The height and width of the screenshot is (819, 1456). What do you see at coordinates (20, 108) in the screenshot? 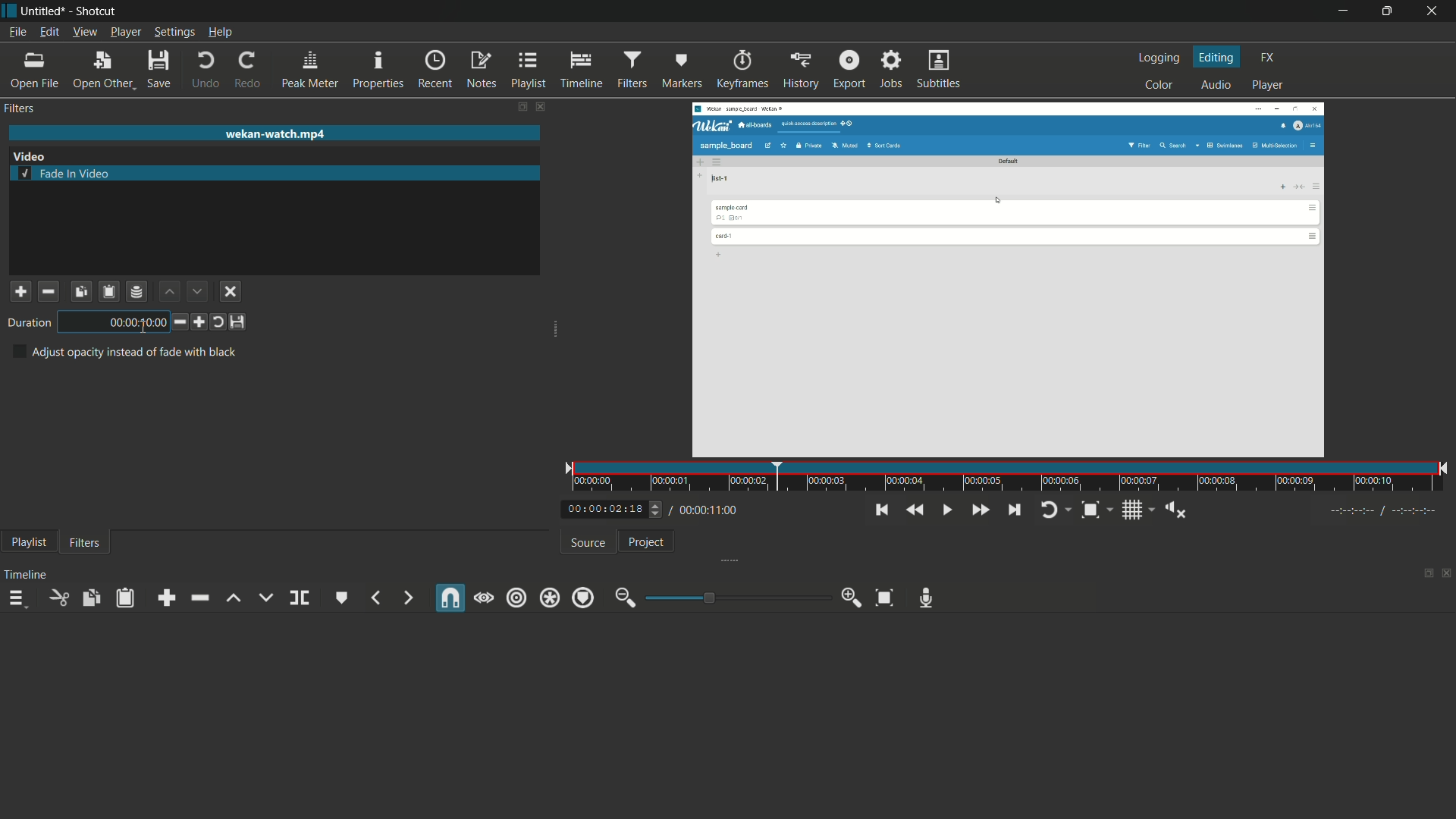
I see `filters` at bounding box center [20, 108].